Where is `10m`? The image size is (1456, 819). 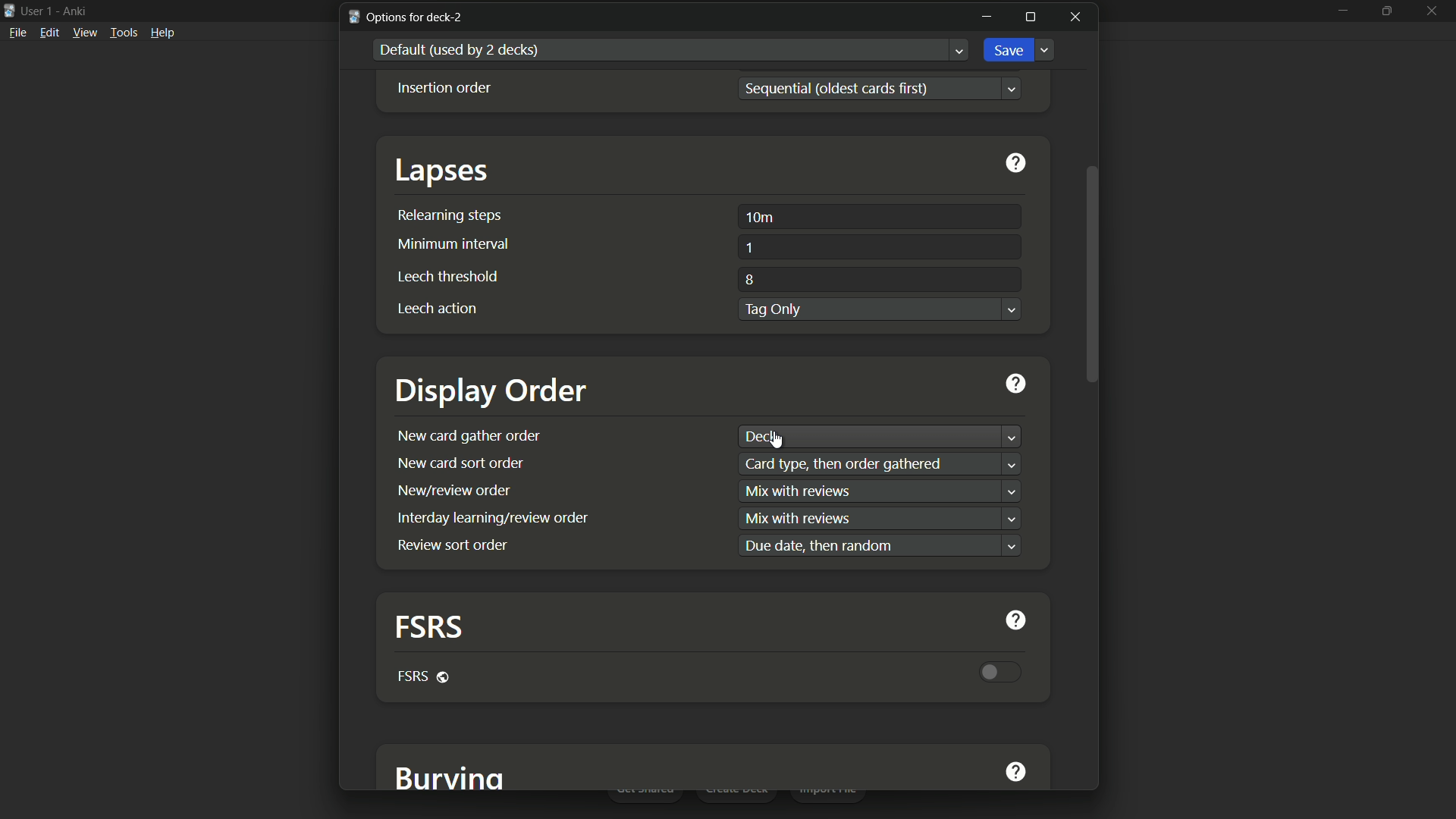
10m is located at coordinates (761, 217).